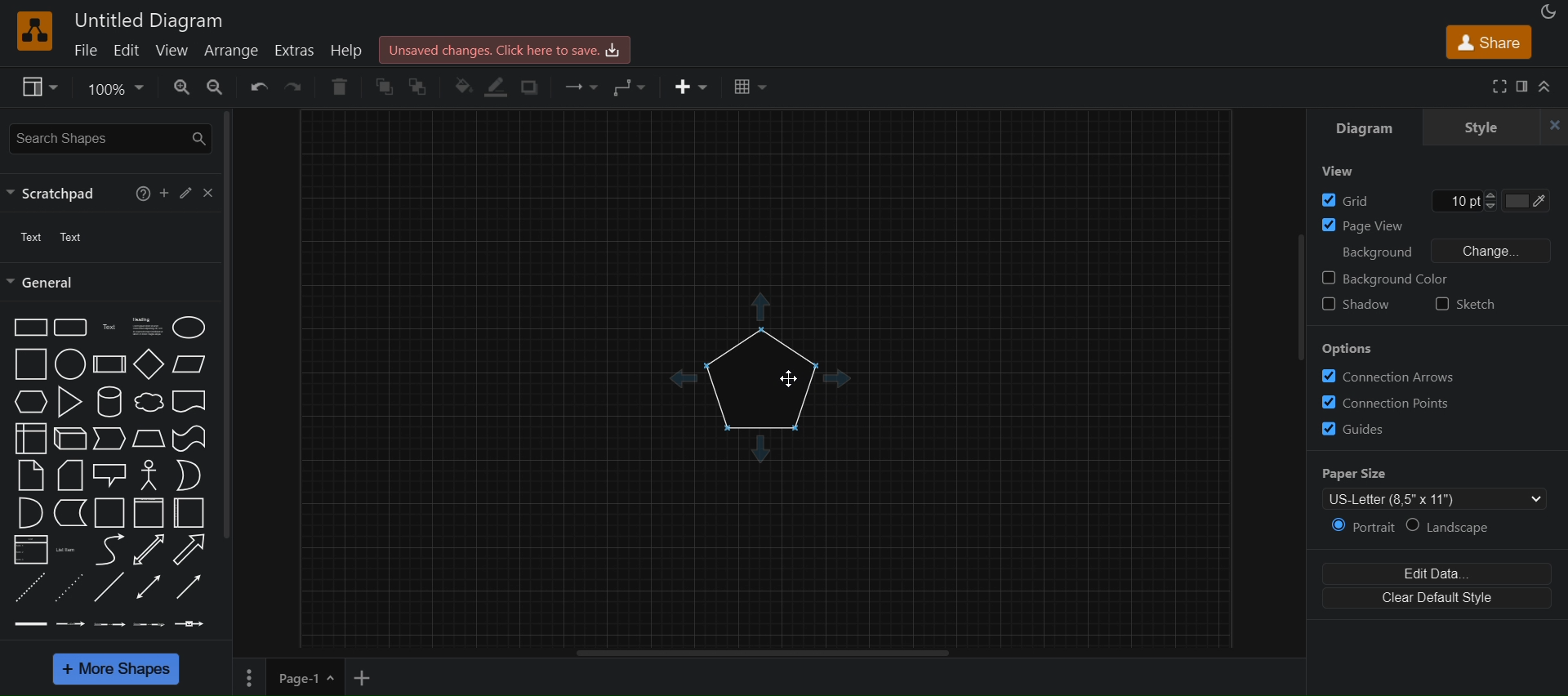 This screenshot has height=696, width=1568. Describe the element at coordinates (385, 85) in the screenshot. I see `to front` at that location.